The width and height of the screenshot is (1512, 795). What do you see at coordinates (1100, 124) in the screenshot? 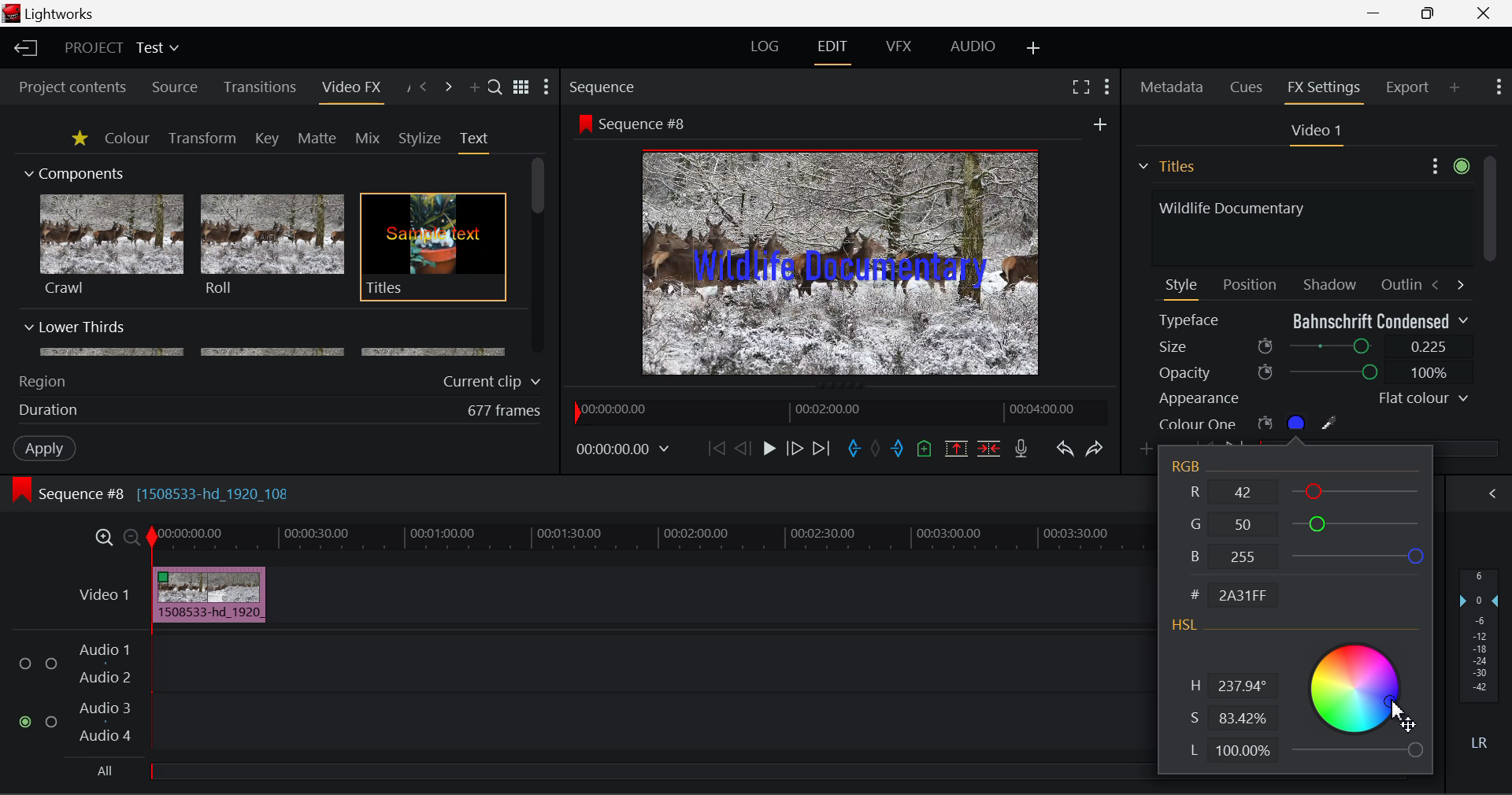
I see `add` at bounding box center [1100, 124].